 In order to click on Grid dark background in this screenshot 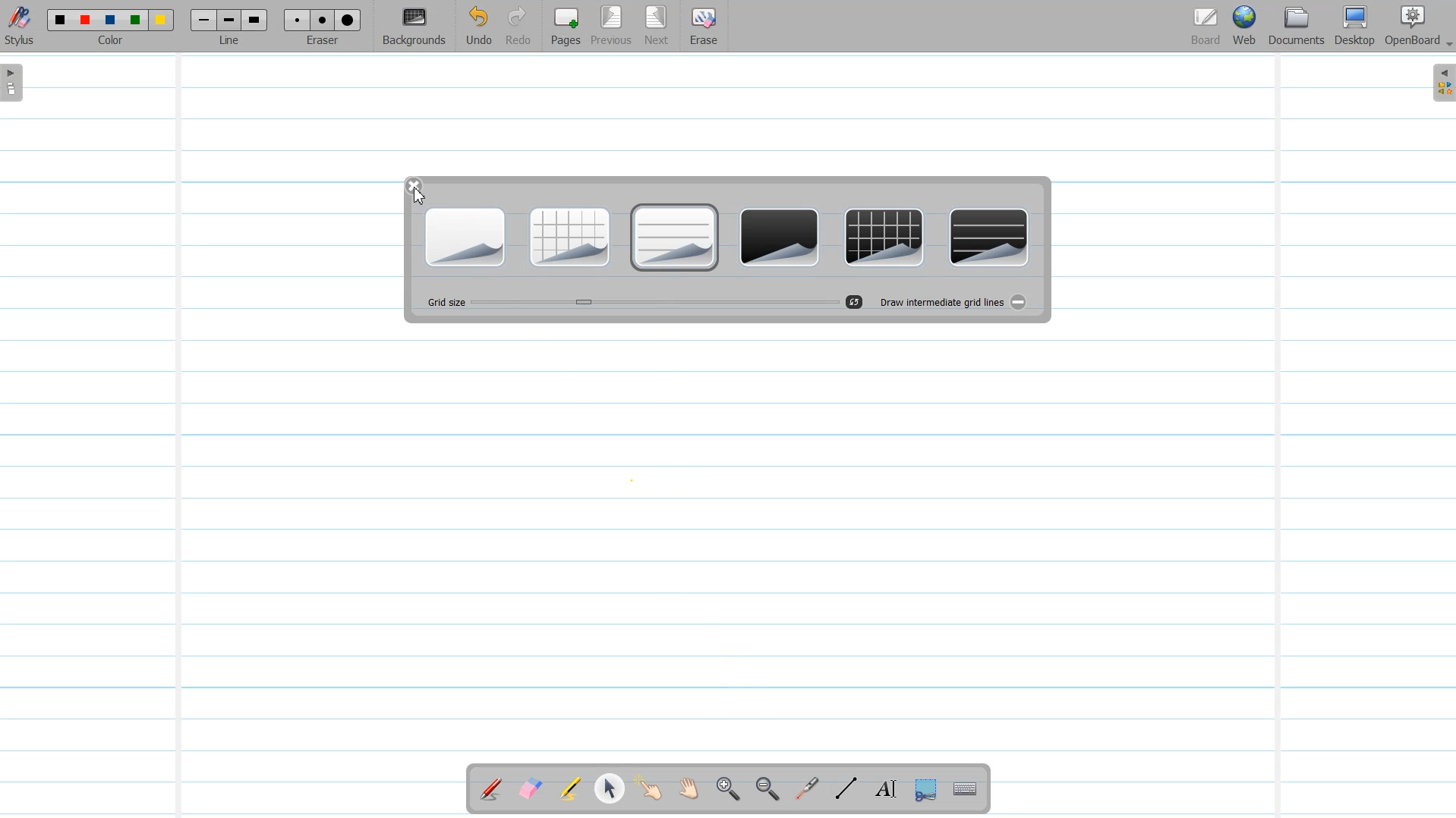, I will do `click(884, 238)`.